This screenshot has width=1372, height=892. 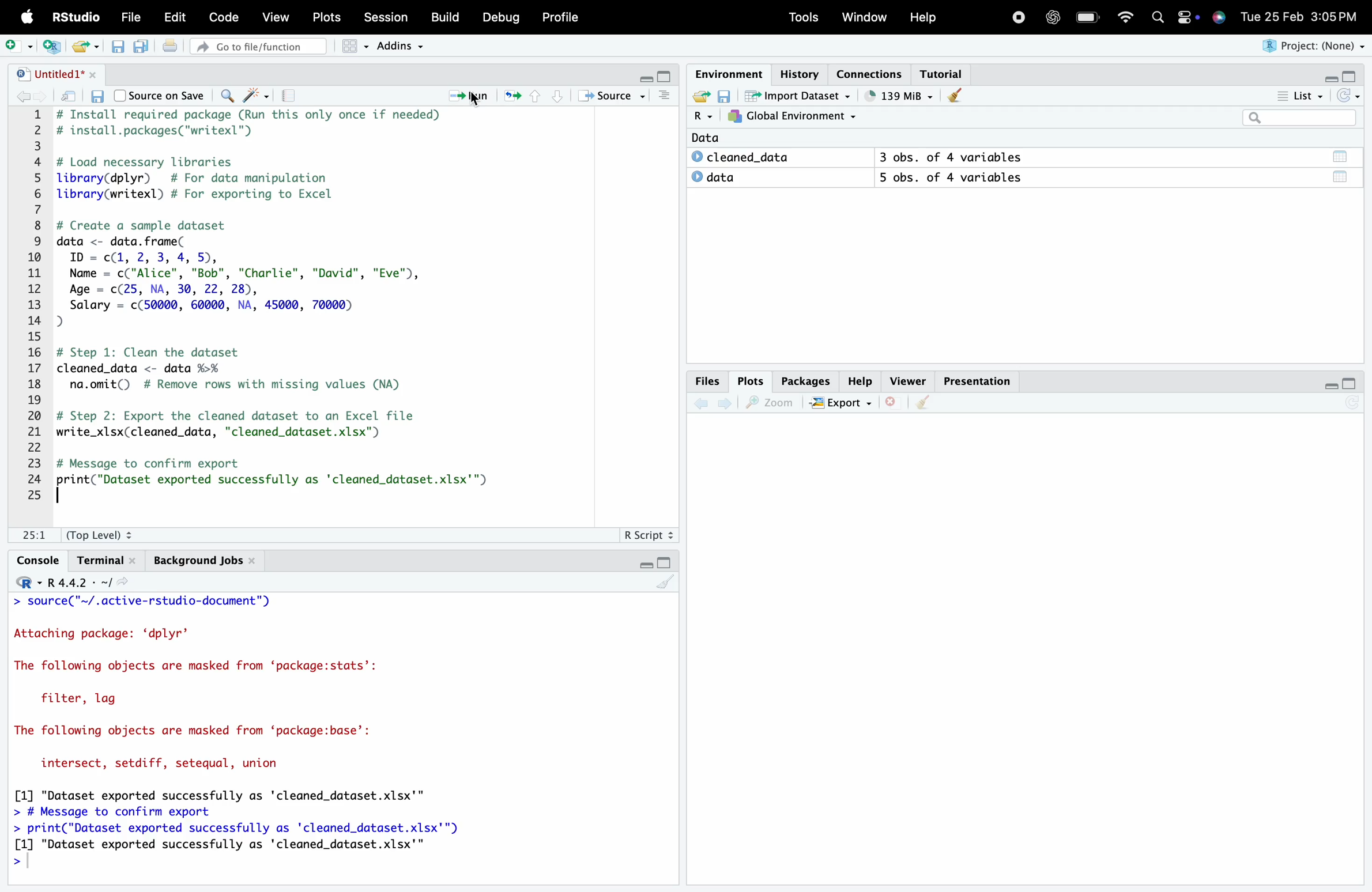 I want to click on History, so click(x=798, y=72).